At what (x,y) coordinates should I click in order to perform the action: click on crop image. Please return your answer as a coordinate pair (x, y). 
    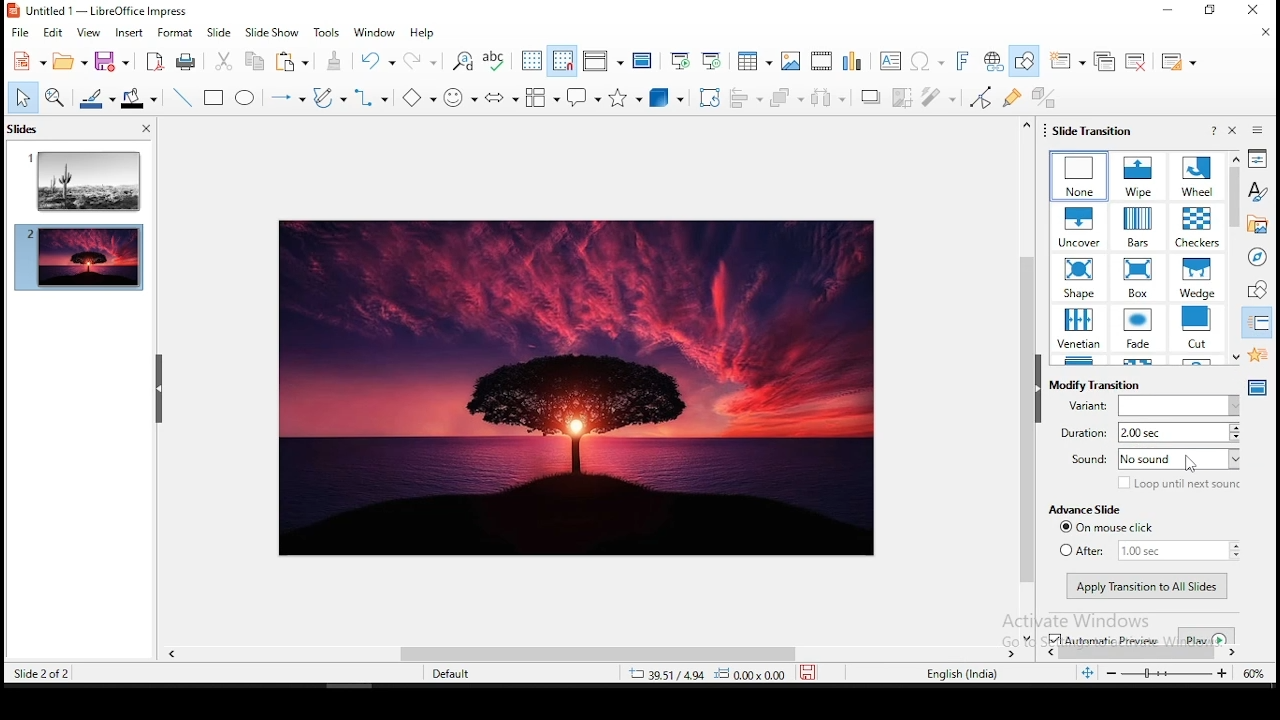
    Looking at the image, I should click on (903, 97).